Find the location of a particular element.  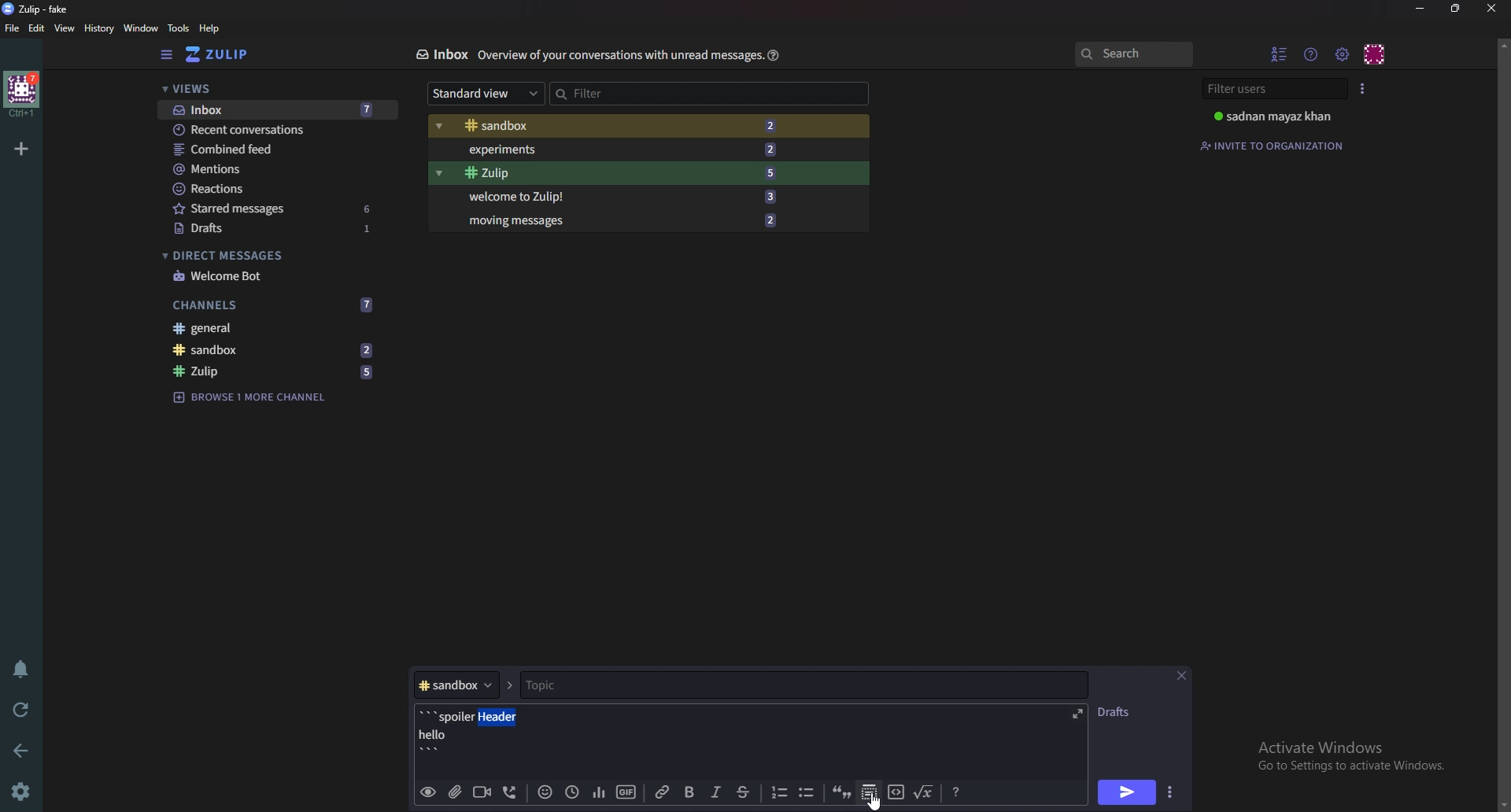

Add organization is located at coordinates (20, 148).